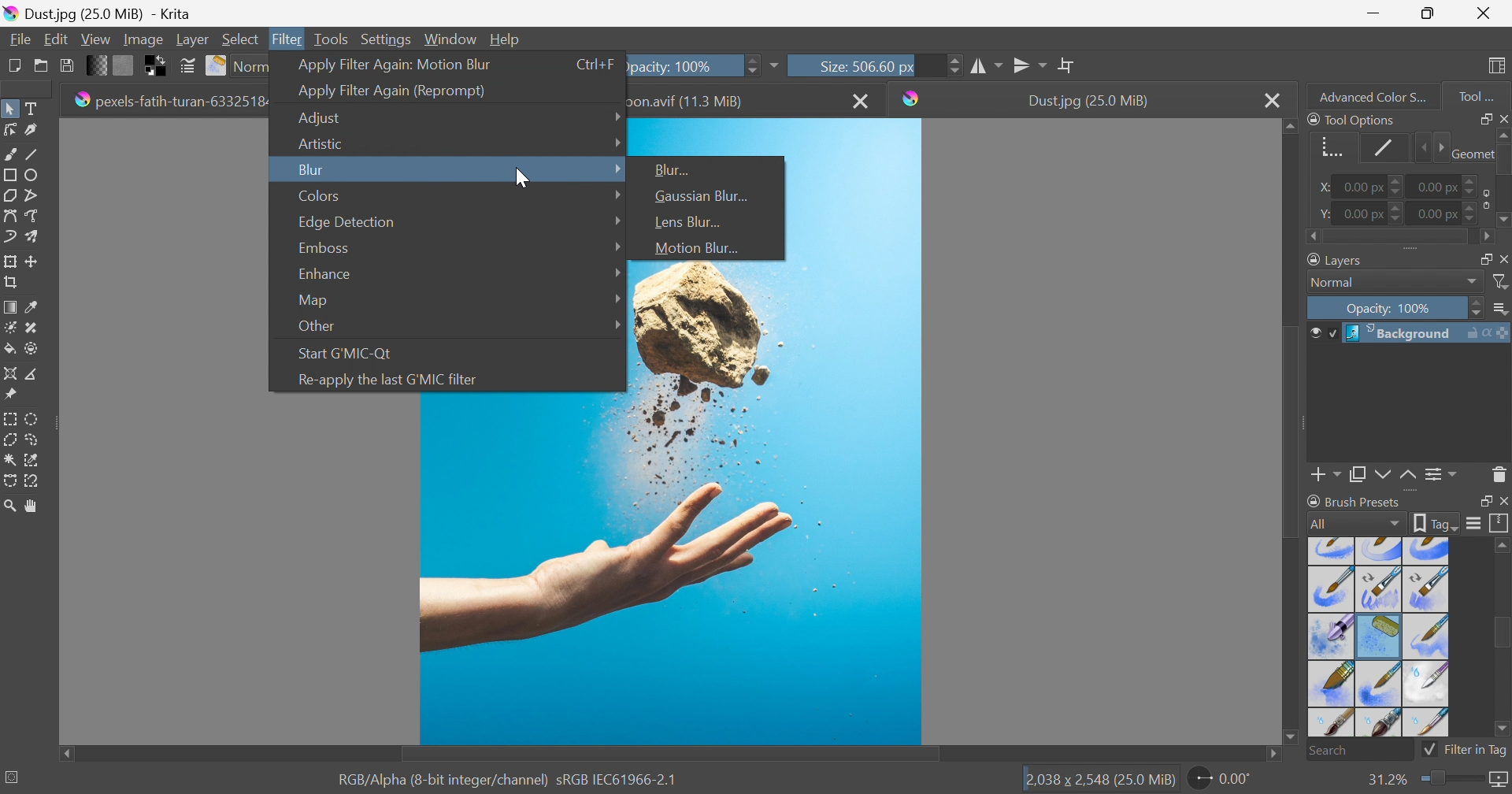  I want to click on RGB Alpha (8-bit integer/channel) sRGB IEC61966-2.1, so click(508, 778).